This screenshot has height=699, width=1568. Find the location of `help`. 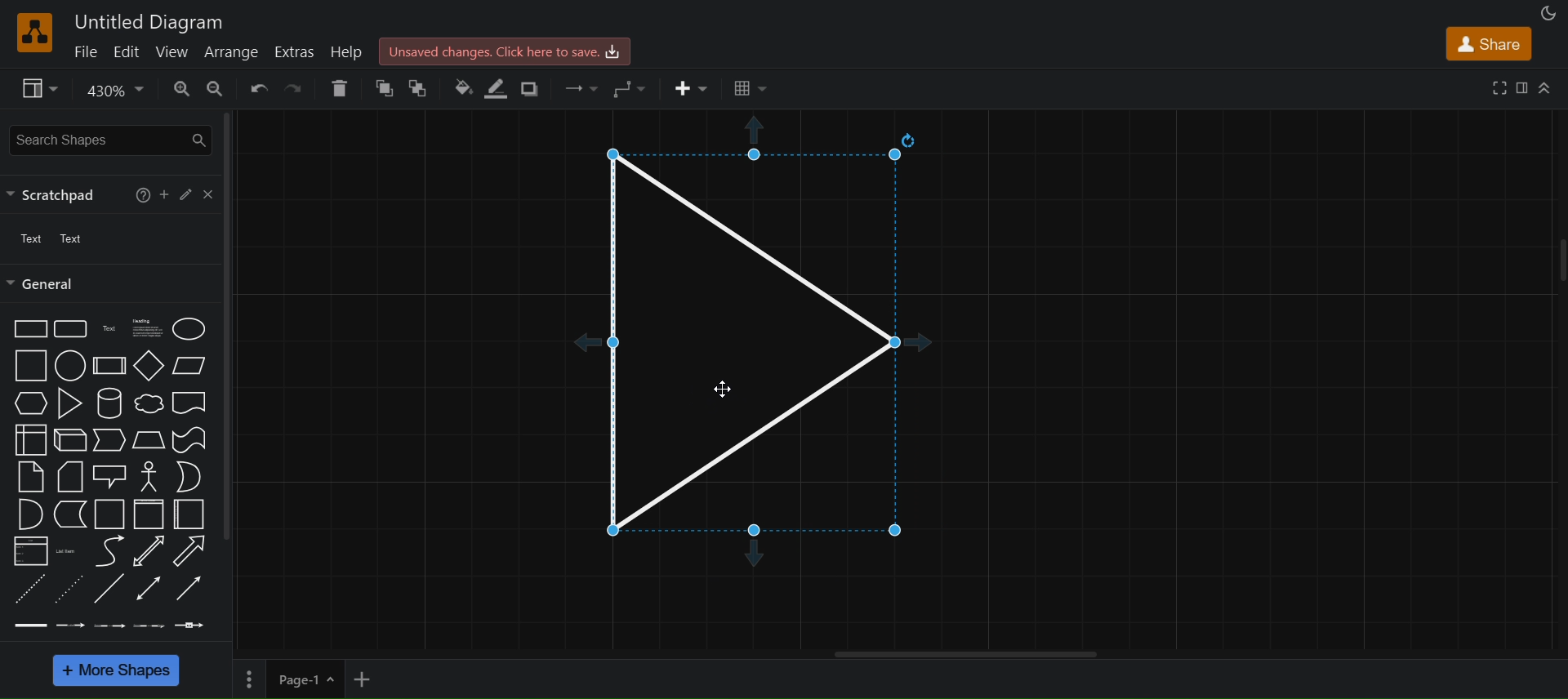

help is located at coordinates (348, 51).